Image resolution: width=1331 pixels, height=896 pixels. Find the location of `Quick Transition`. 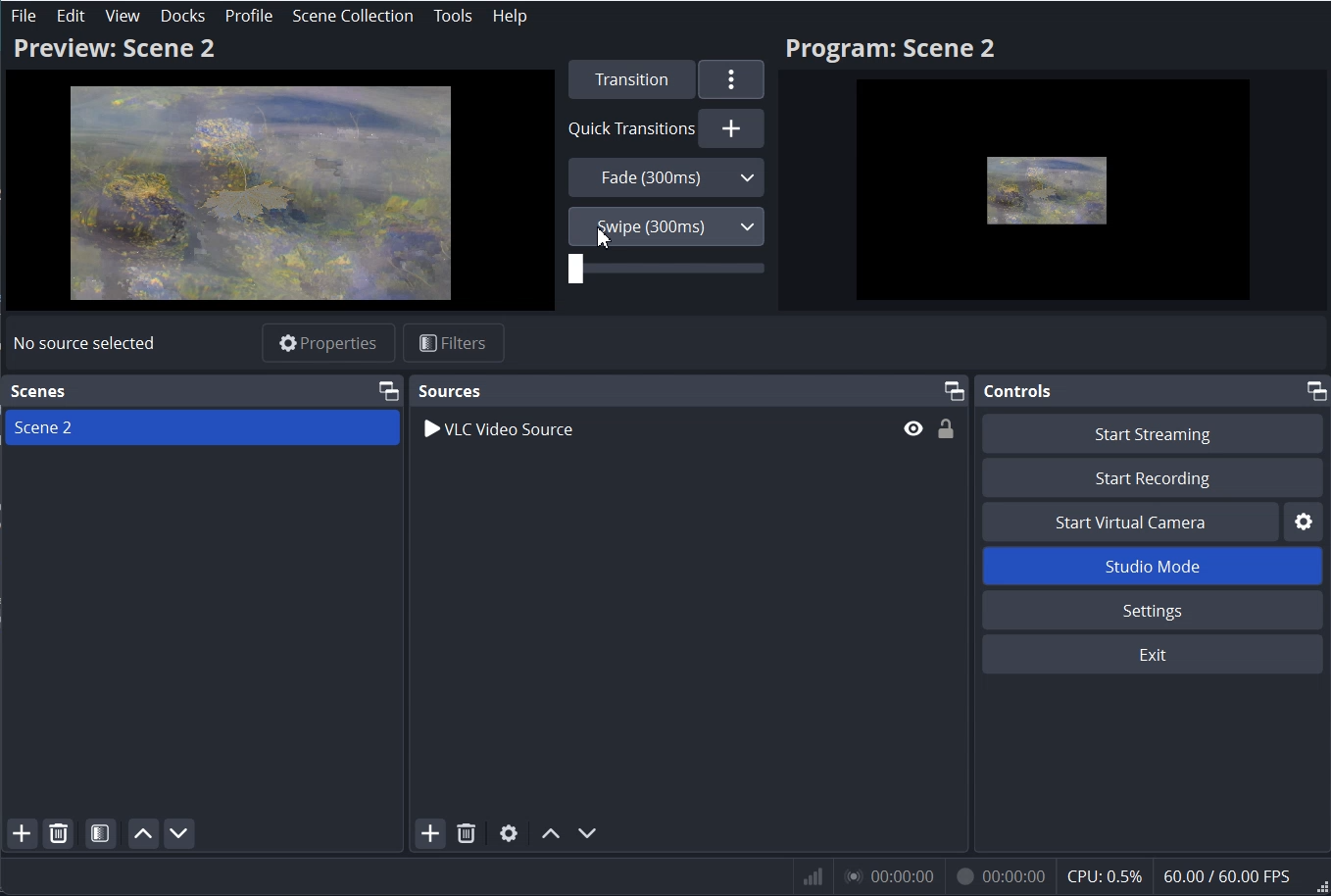

Quick Transition is located at coordinates (665, 127).